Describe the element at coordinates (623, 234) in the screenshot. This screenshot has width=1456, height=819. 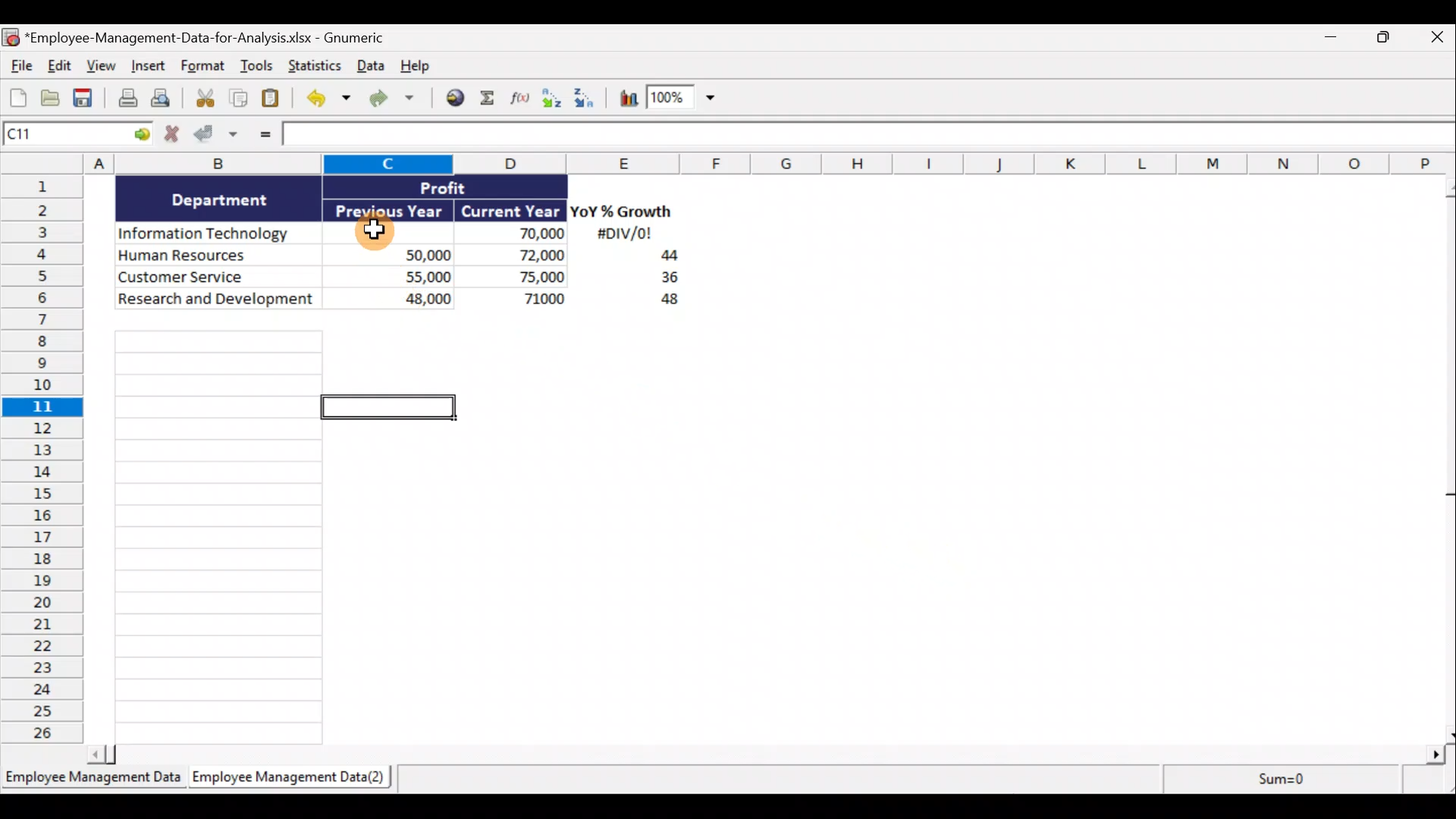
I see `#DIV/0!` at that location.